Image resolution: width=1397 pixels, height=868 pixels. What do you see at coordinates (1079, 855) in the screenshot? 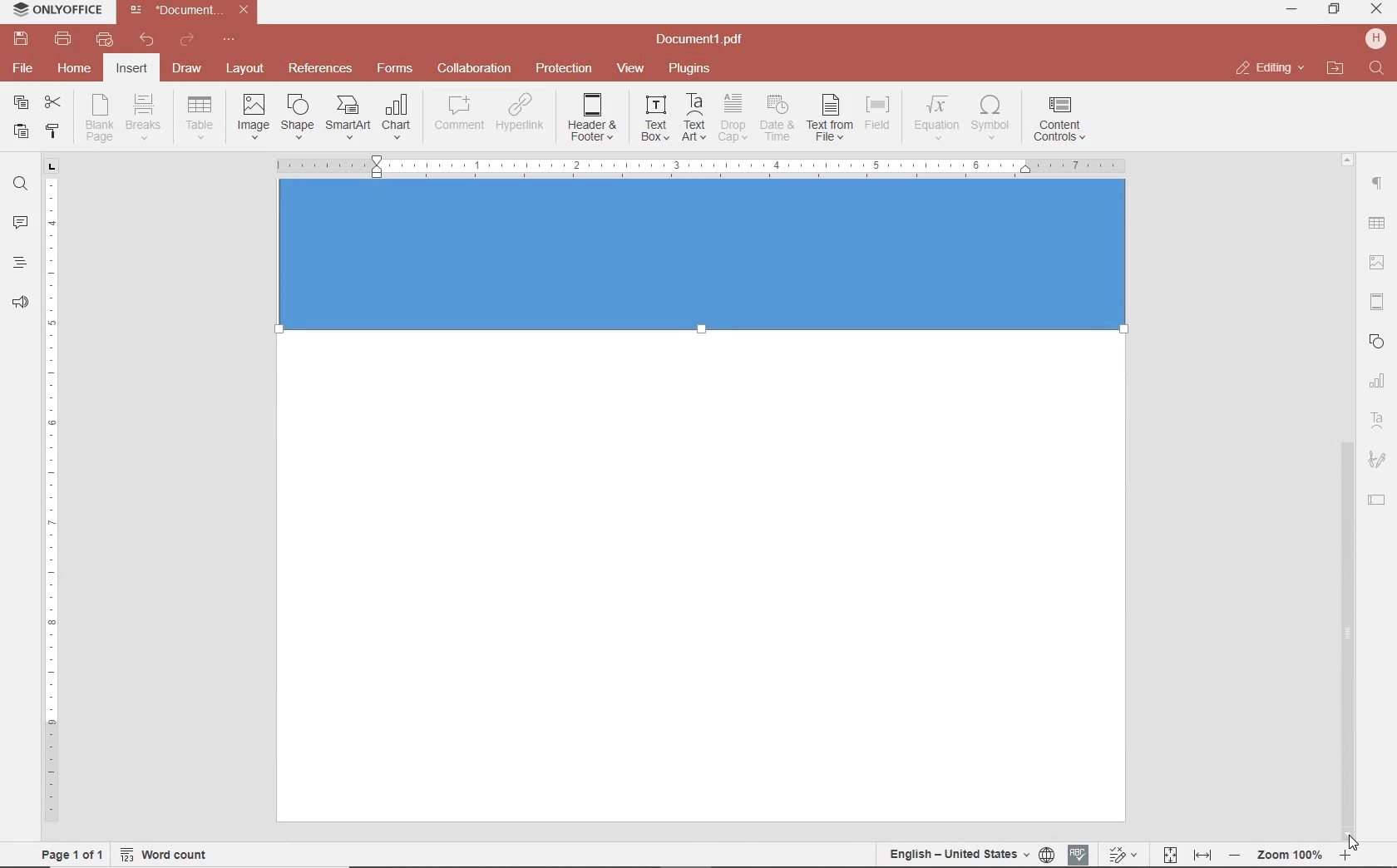
I see `spell checking` at bounding box center [1079, 855].